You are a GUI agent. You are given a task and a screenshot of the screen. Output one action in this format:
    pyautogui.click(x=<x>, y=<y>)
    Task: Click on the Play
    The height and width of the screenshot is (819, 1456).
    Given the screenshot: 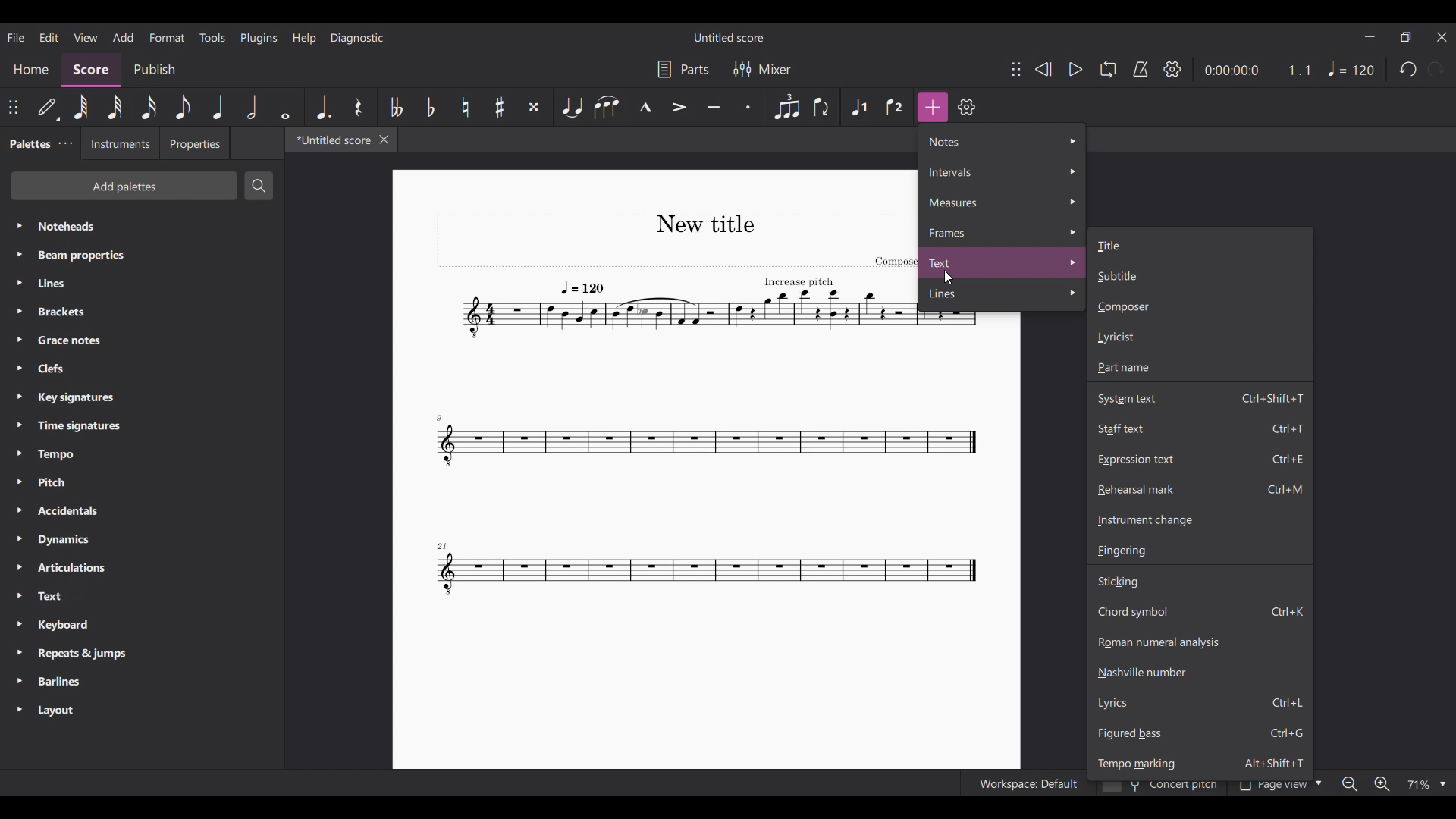 What is the action you would take?
    pyautogui.click(x=1075, y=69)
    